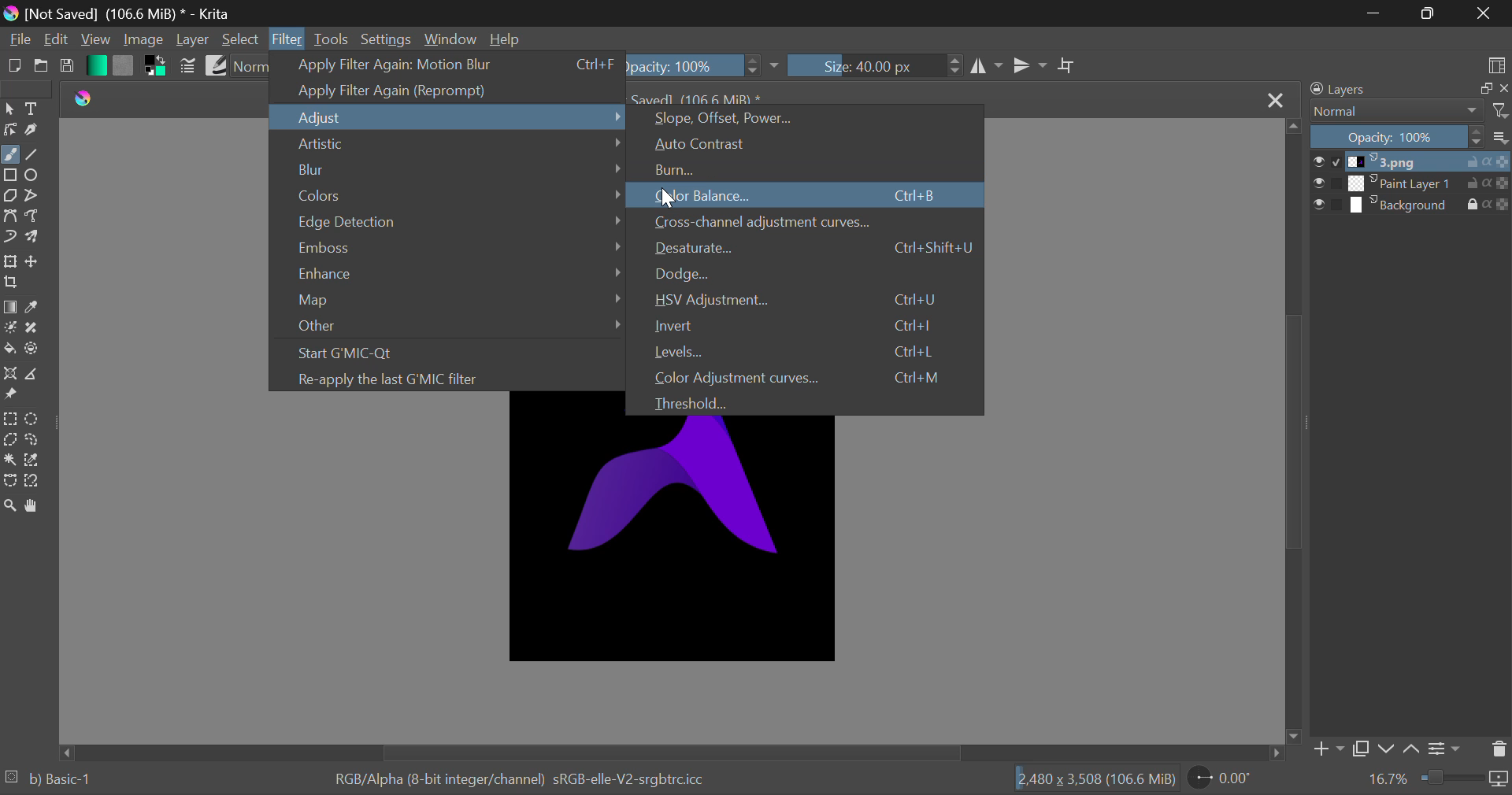 The image size is (1512, 795). Describe the element at coordinates (1447, 747) in the screenshot. I see `Settings` at that location.